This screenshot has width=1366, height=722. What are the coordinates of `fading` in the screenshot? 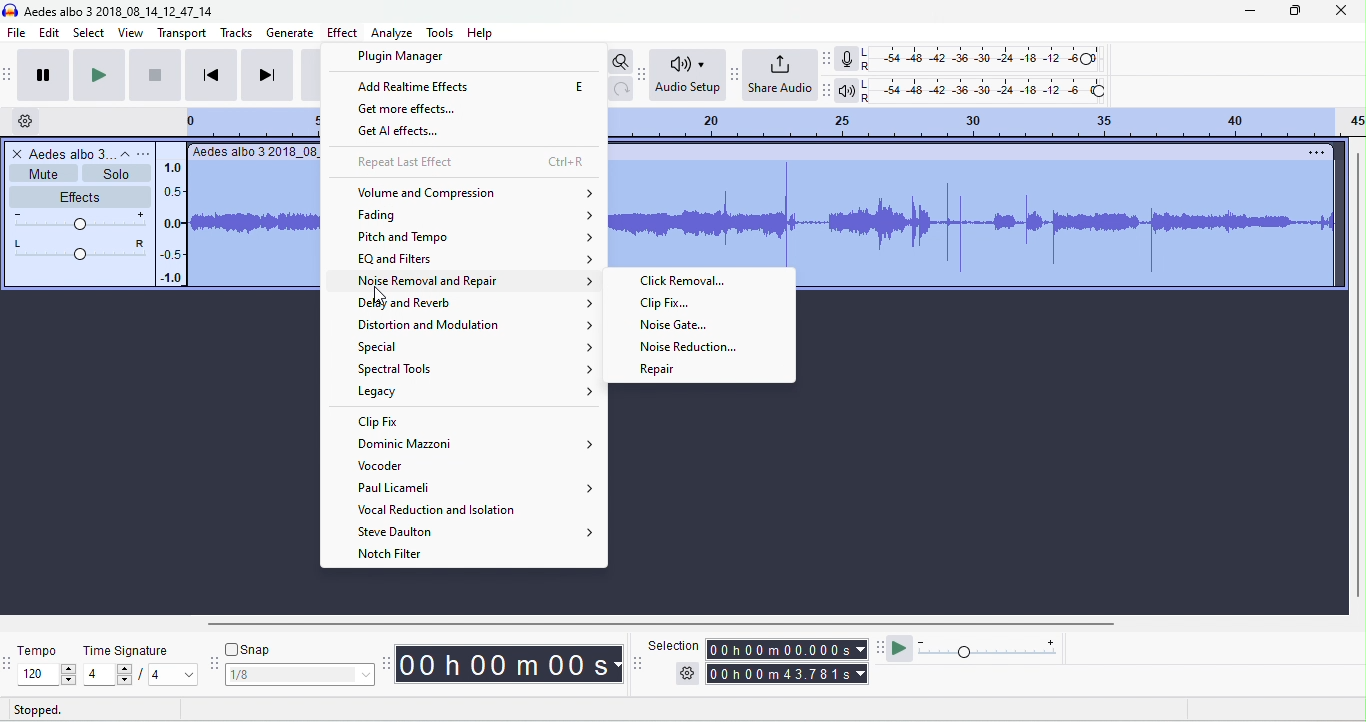 It's located at (478, 216).